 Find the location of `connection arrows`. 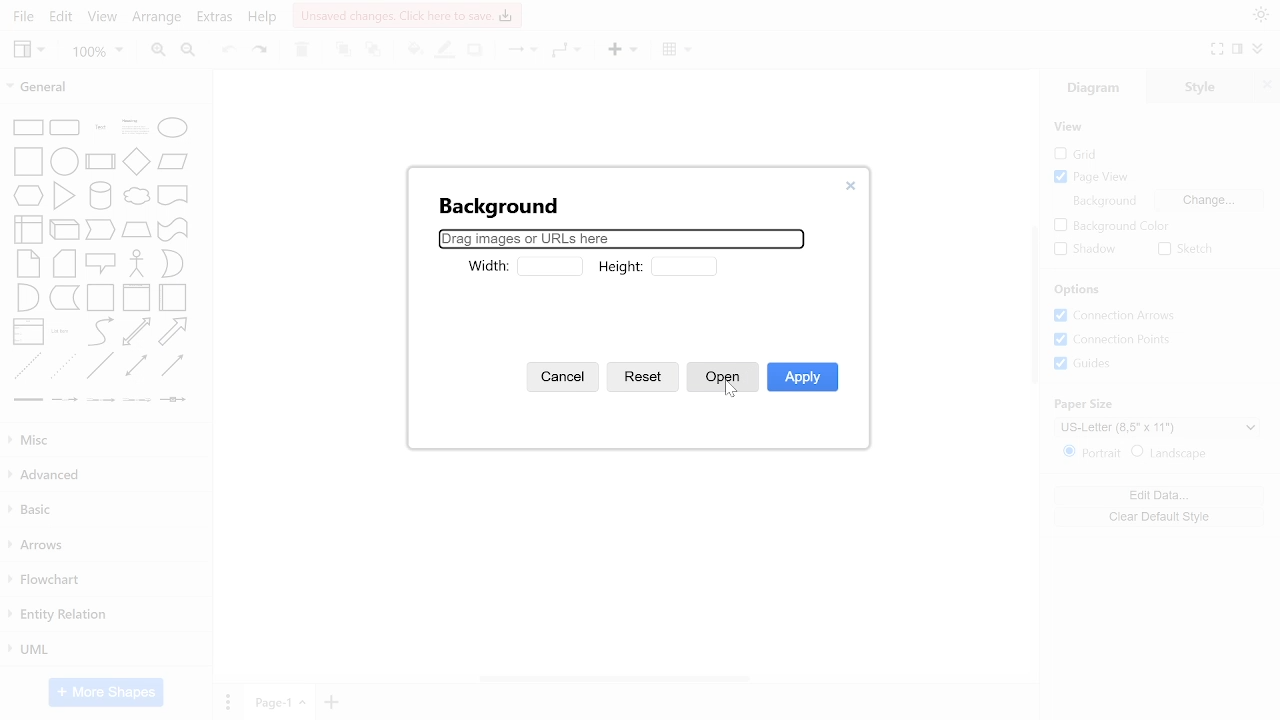

connection arrows is located at coordinates (1119, 316).